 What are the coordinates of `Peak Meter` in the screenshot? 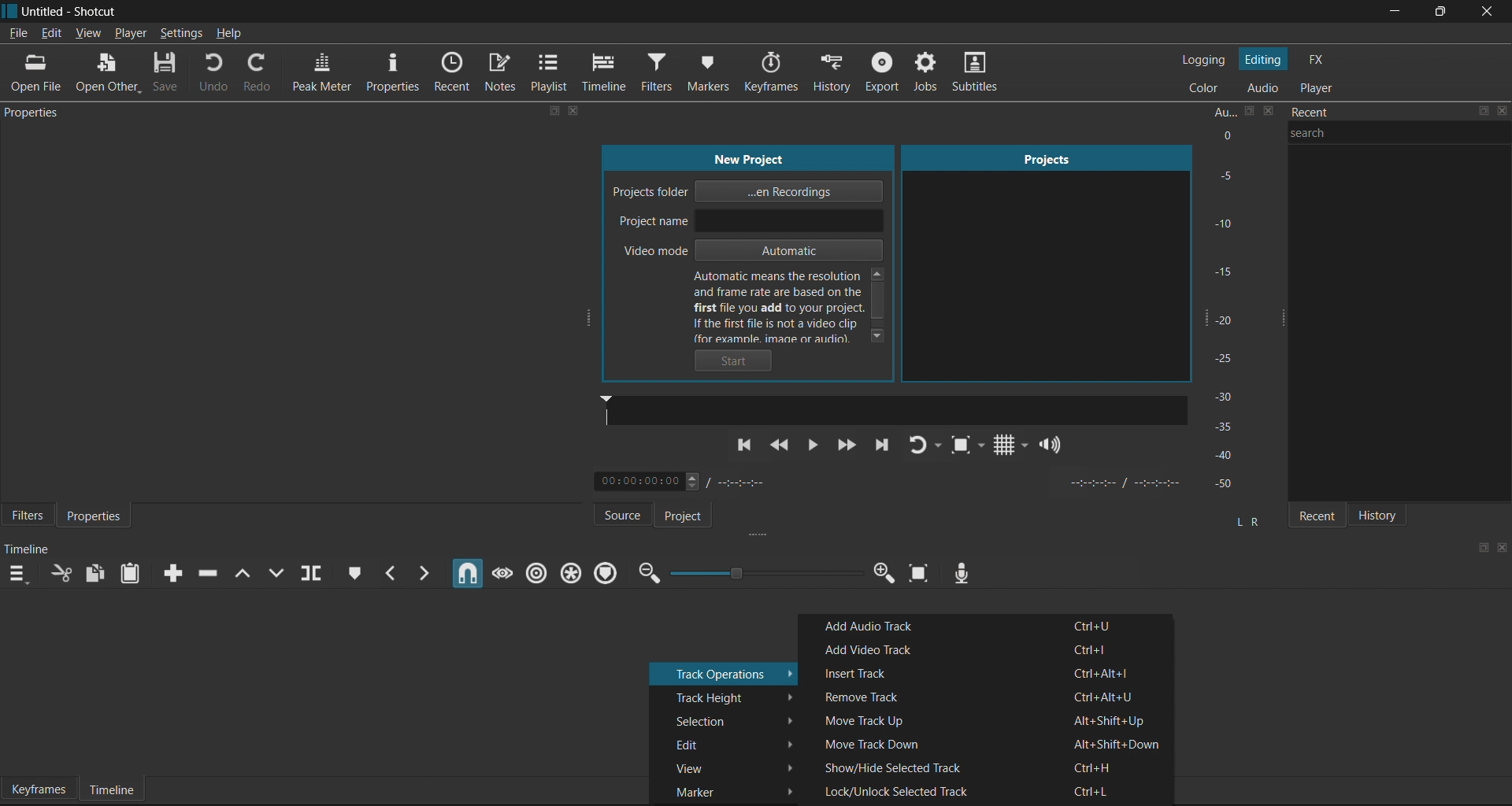 It's located at (320, 74).